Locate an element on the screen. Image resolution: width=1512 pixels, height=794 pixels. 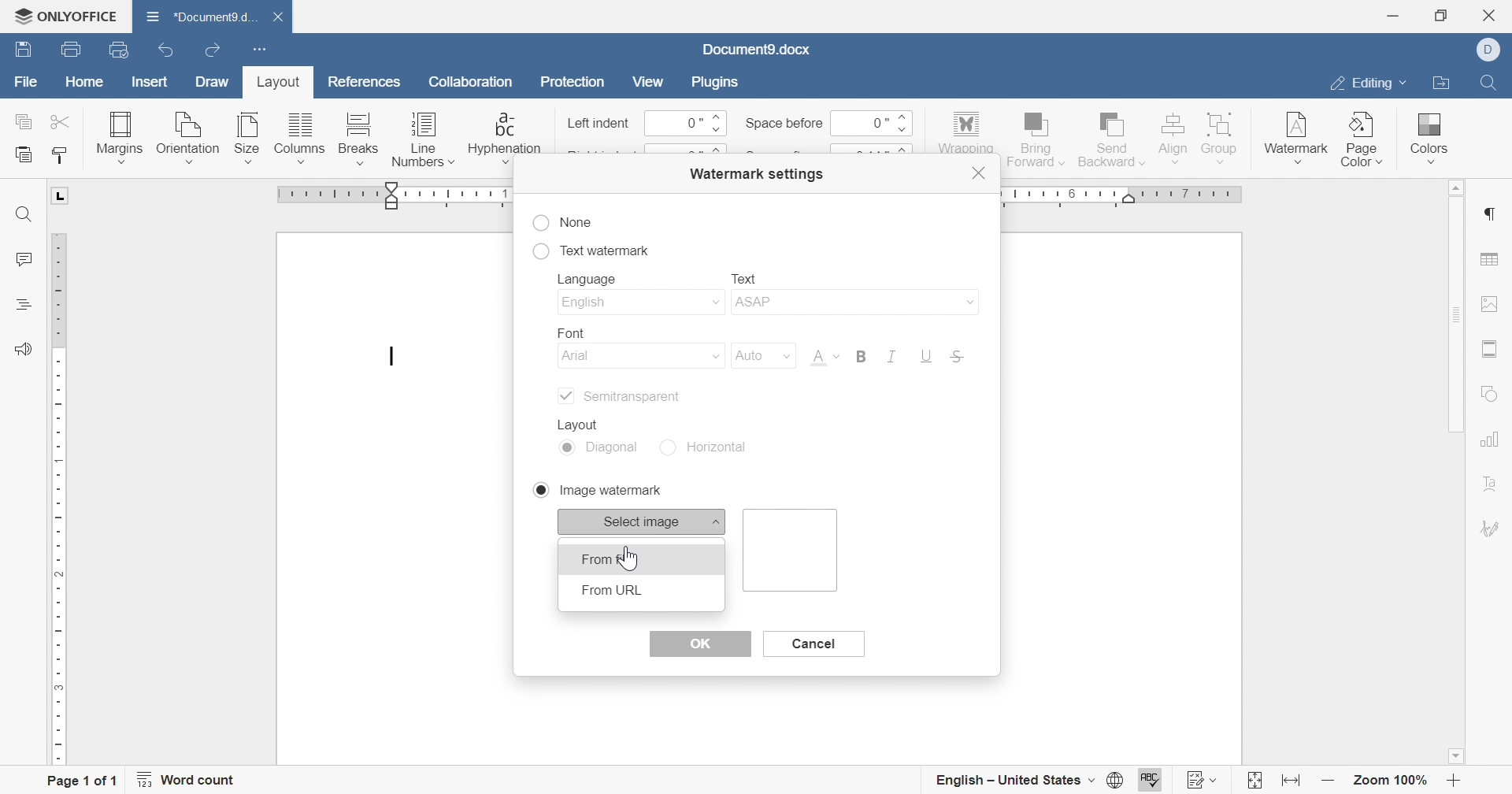
0 is located at coordinates (686, 124).